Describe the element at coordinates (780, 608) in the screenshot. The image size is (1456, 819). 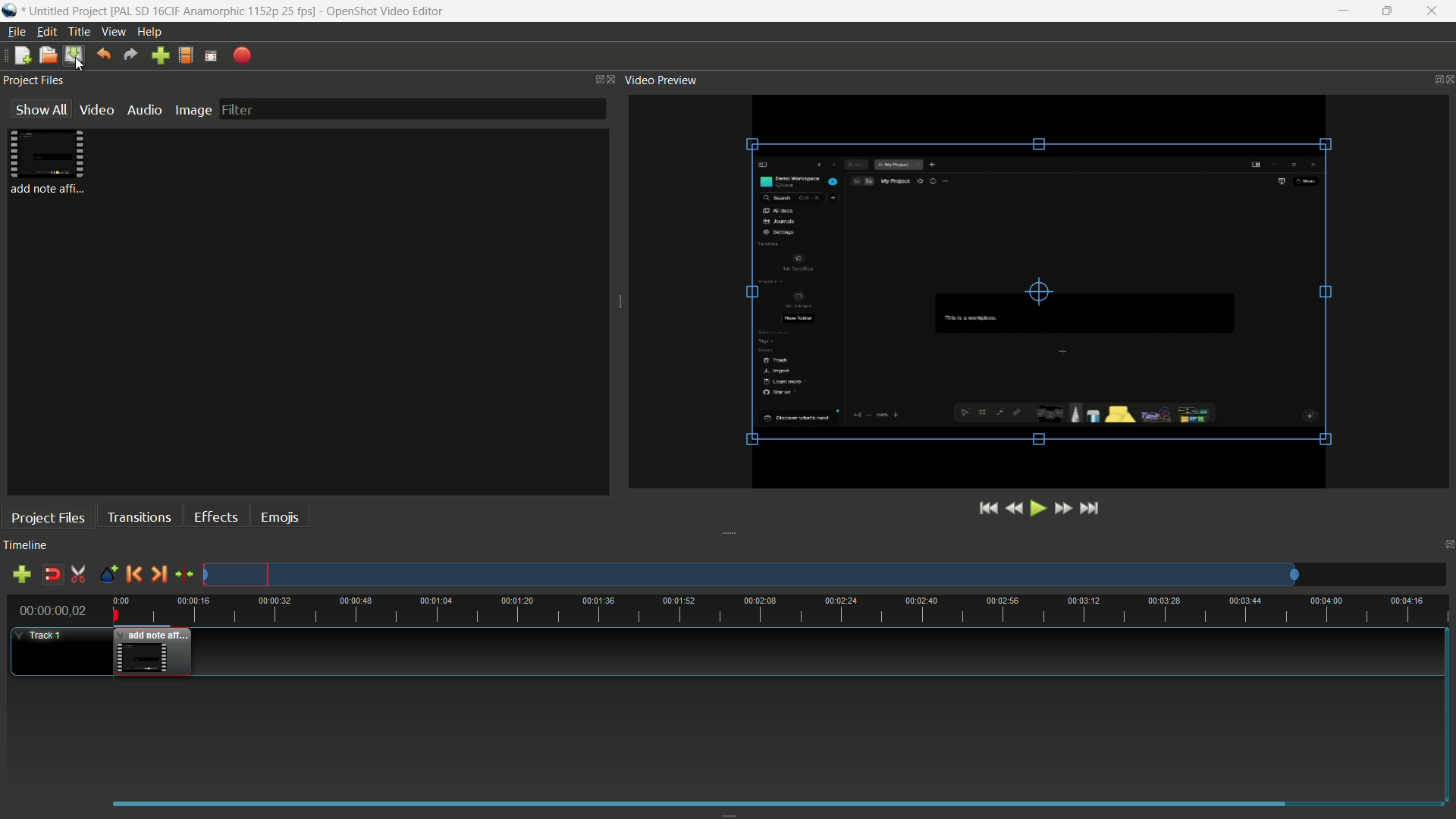
I see `time` at that location.